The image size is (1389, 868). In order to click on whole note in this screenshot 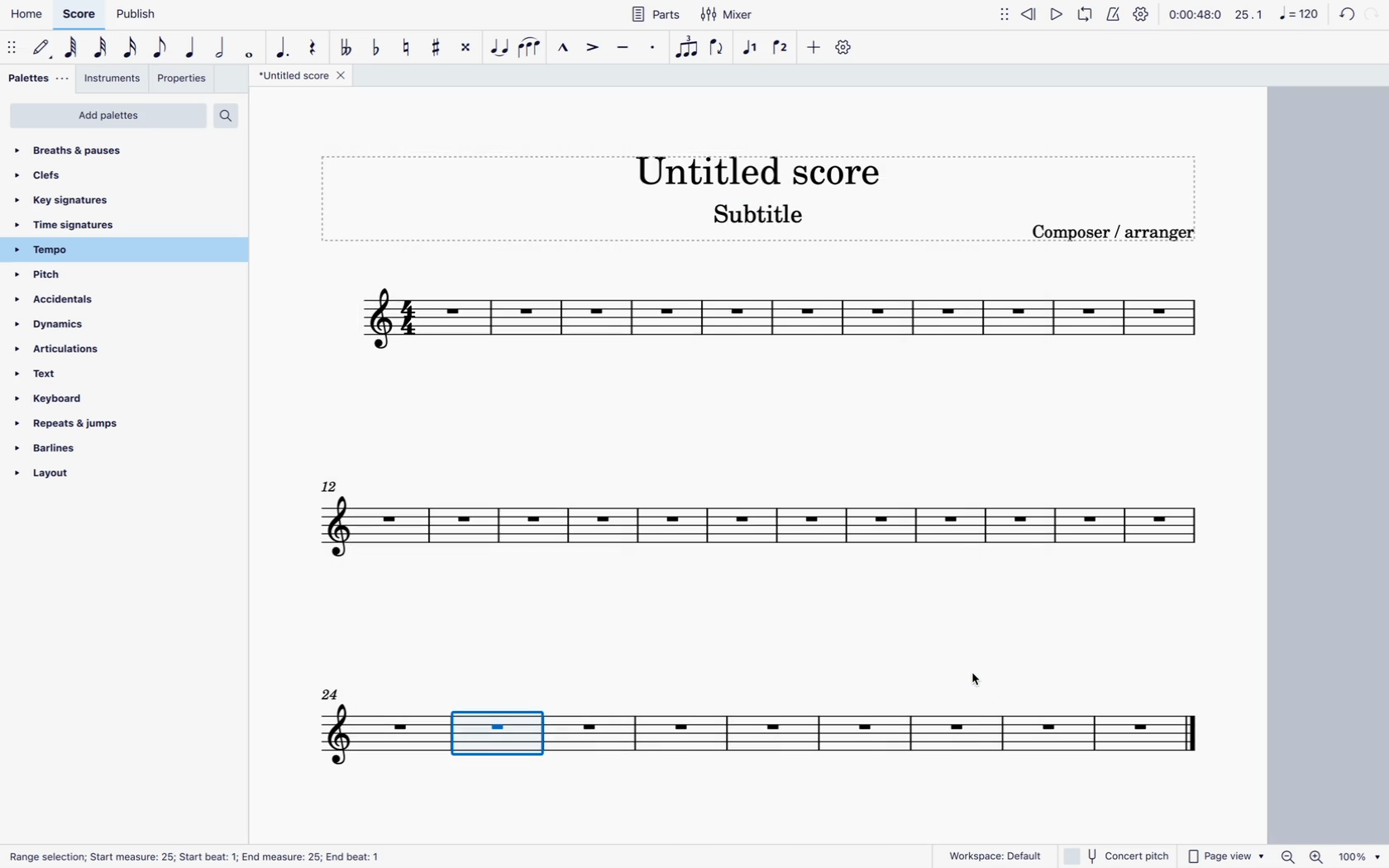, I will do `click(248, 50)`.